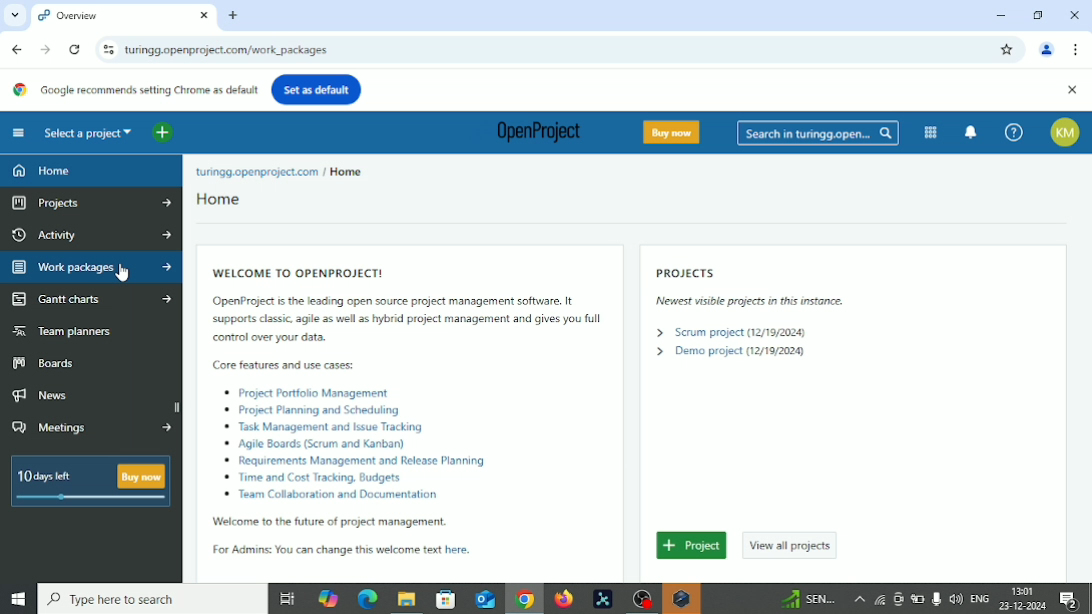  Describe the element at coordinates (483, 599) in the screenshot. I see `Outlook` at that location.